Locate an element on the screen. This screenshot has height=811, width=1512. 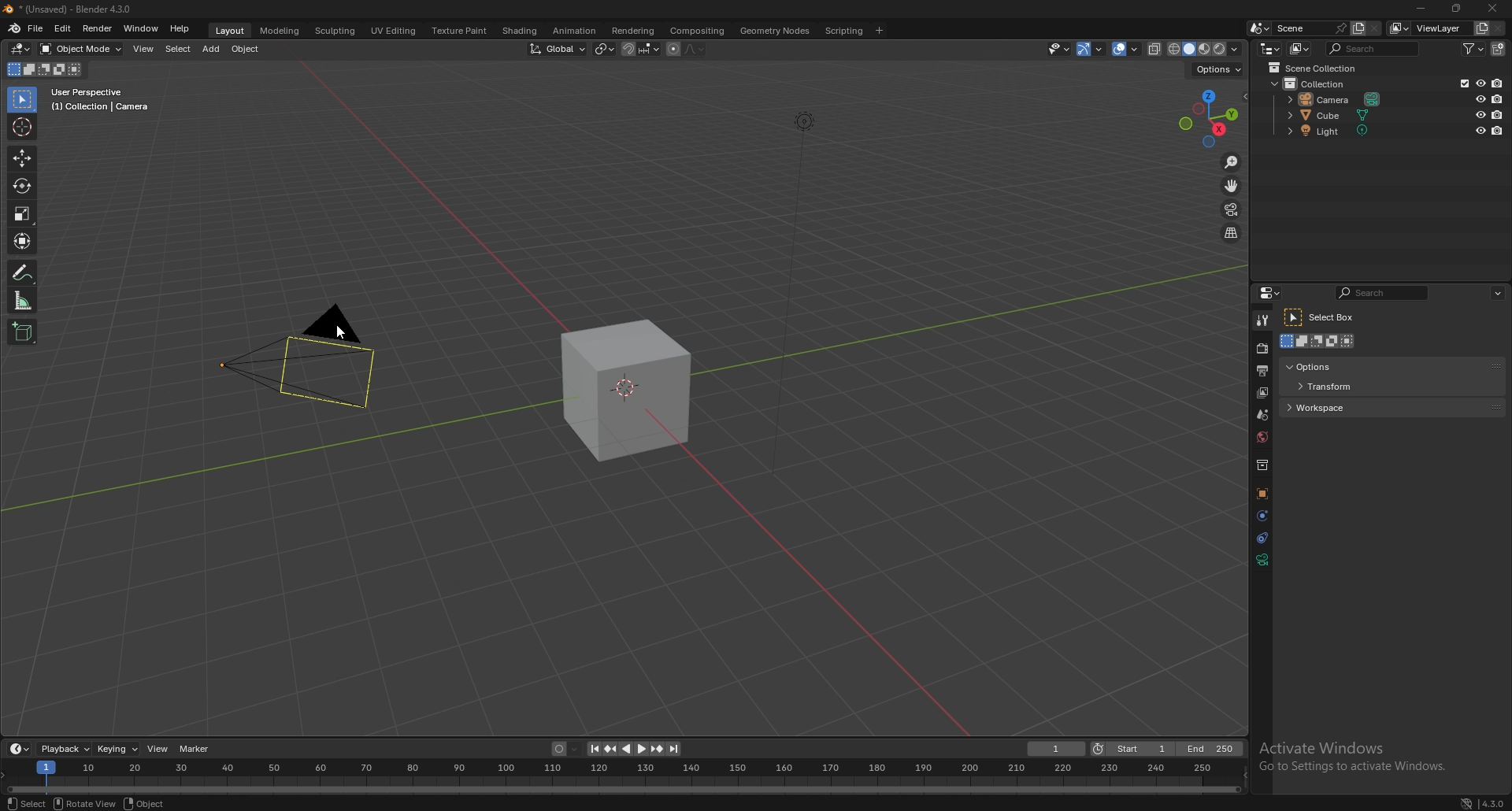
tool is located at coordinates (1262, 320).